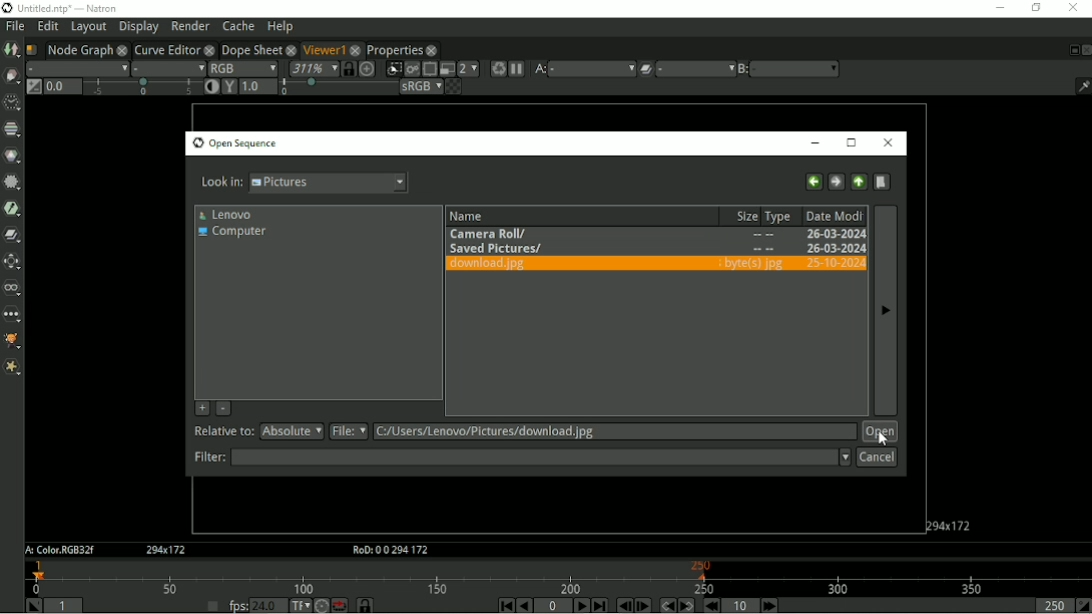  What do you see at coordinates (769, 605) in the screenshot?
I see `Next Increment` at bounding box center [769, 605].